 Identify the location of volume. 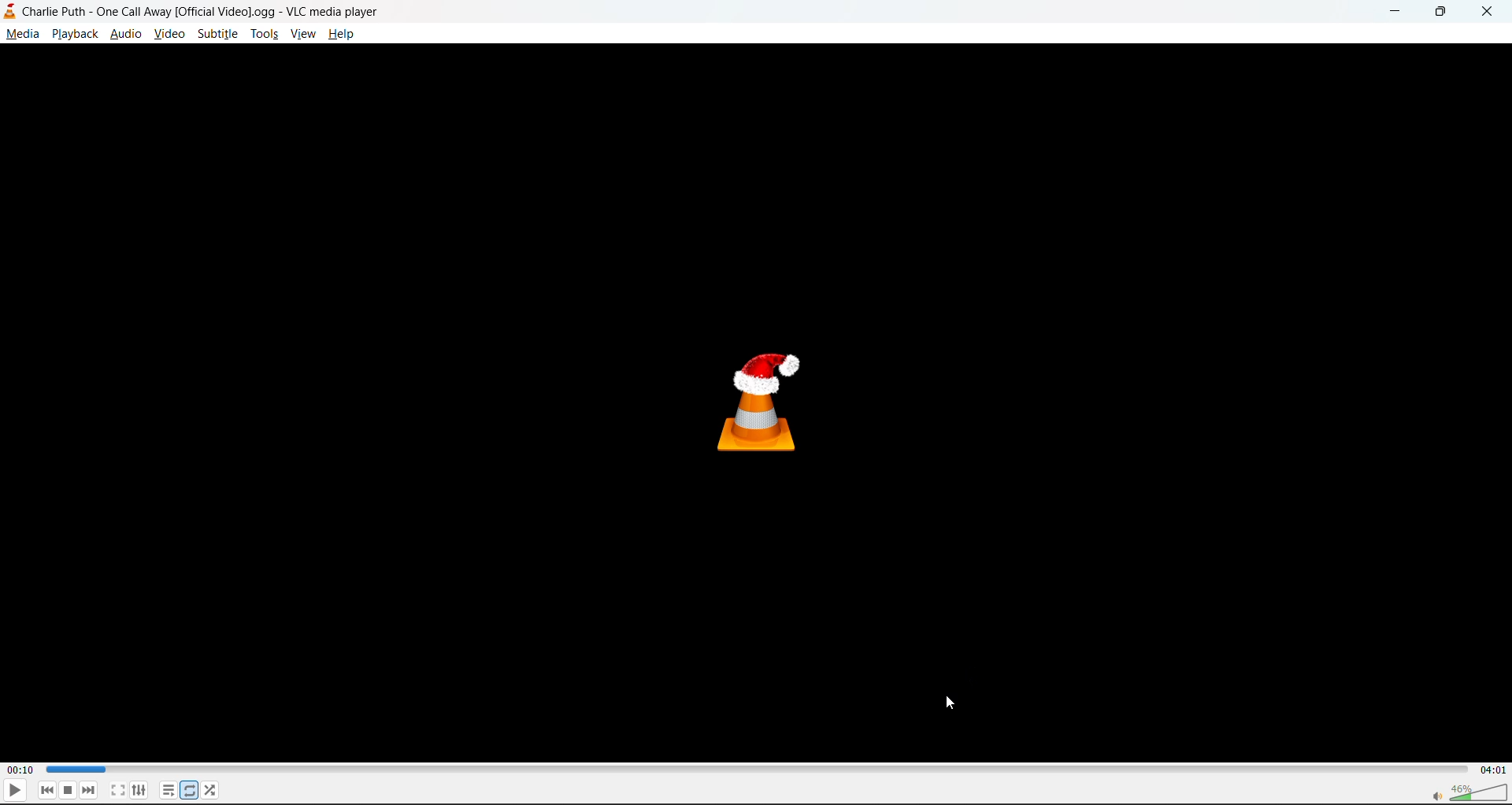
(1465, 791).